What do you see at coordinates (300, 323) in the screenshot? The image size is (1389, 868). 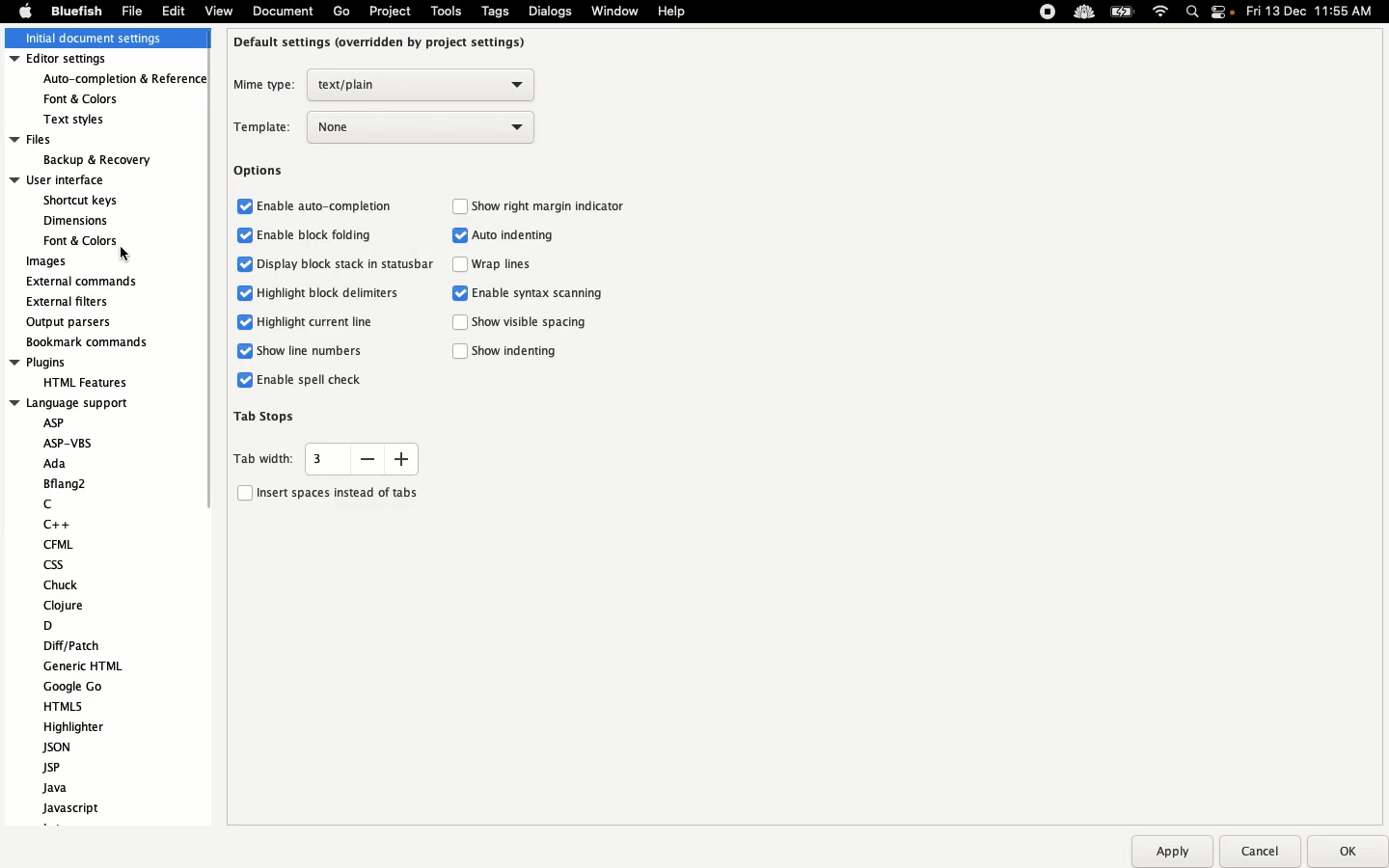 I see `Highlight current line` at bounding box center [300, 323].